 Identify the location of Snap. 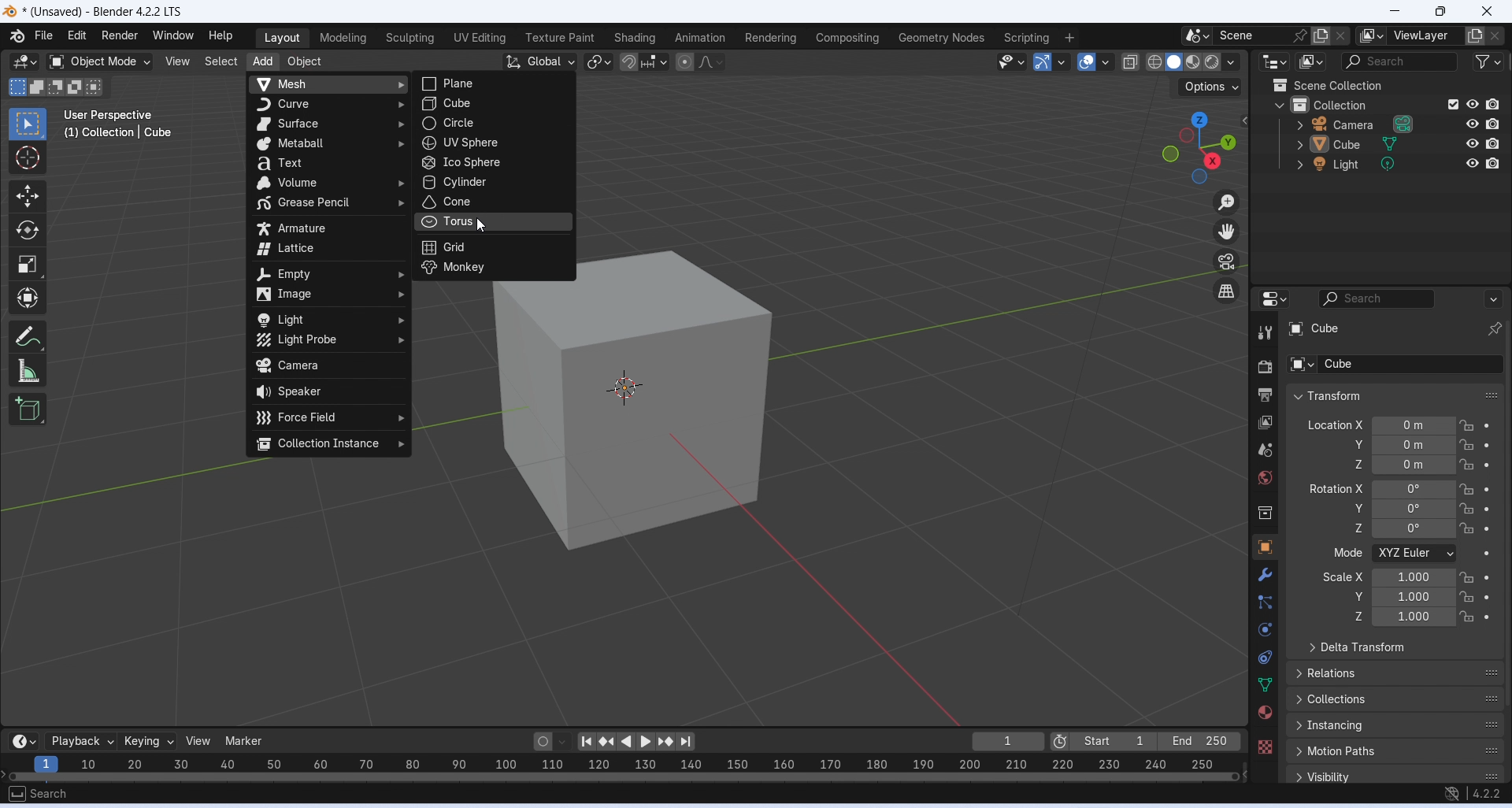
(629, 62).